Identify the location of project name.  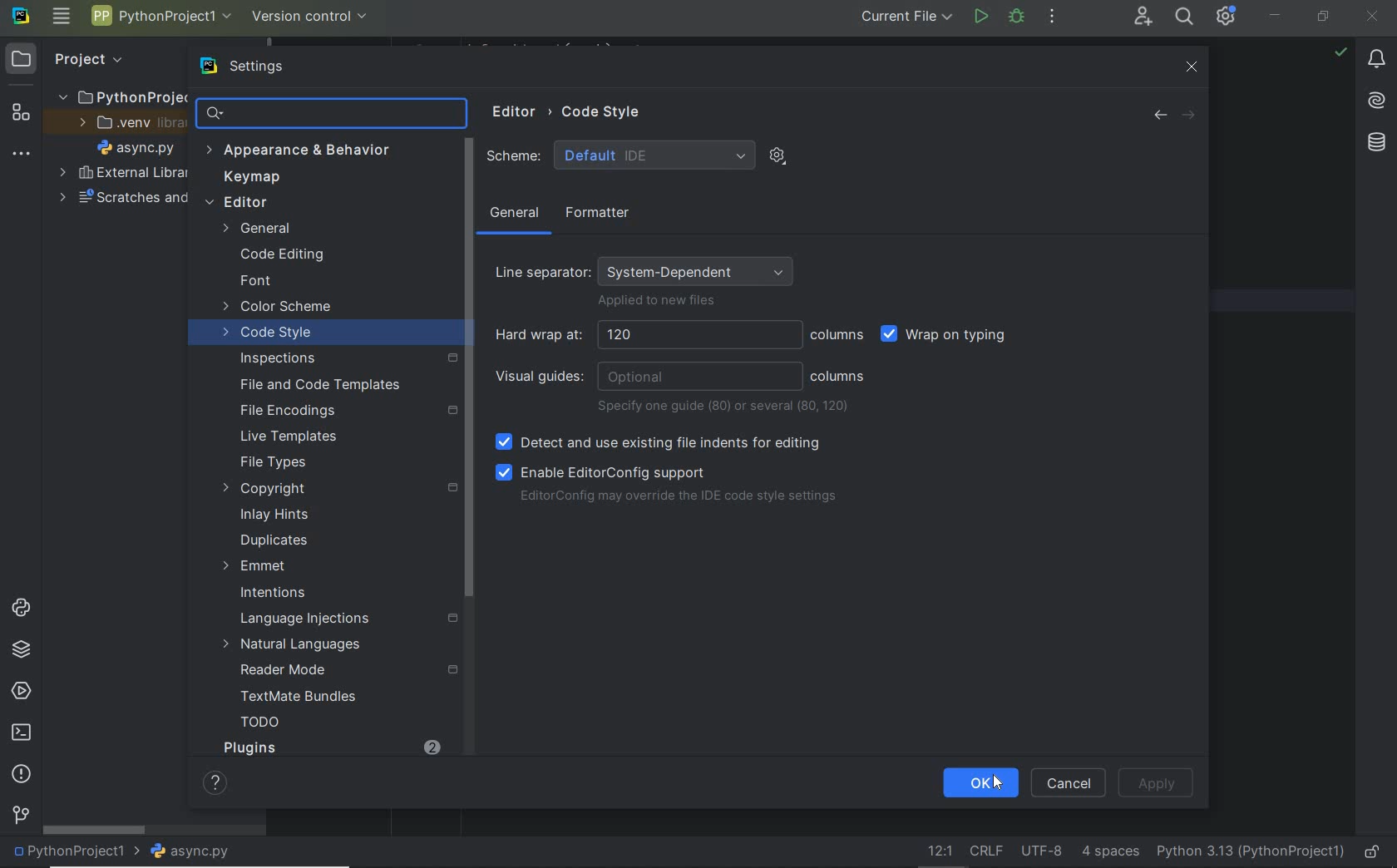
(77, 852).